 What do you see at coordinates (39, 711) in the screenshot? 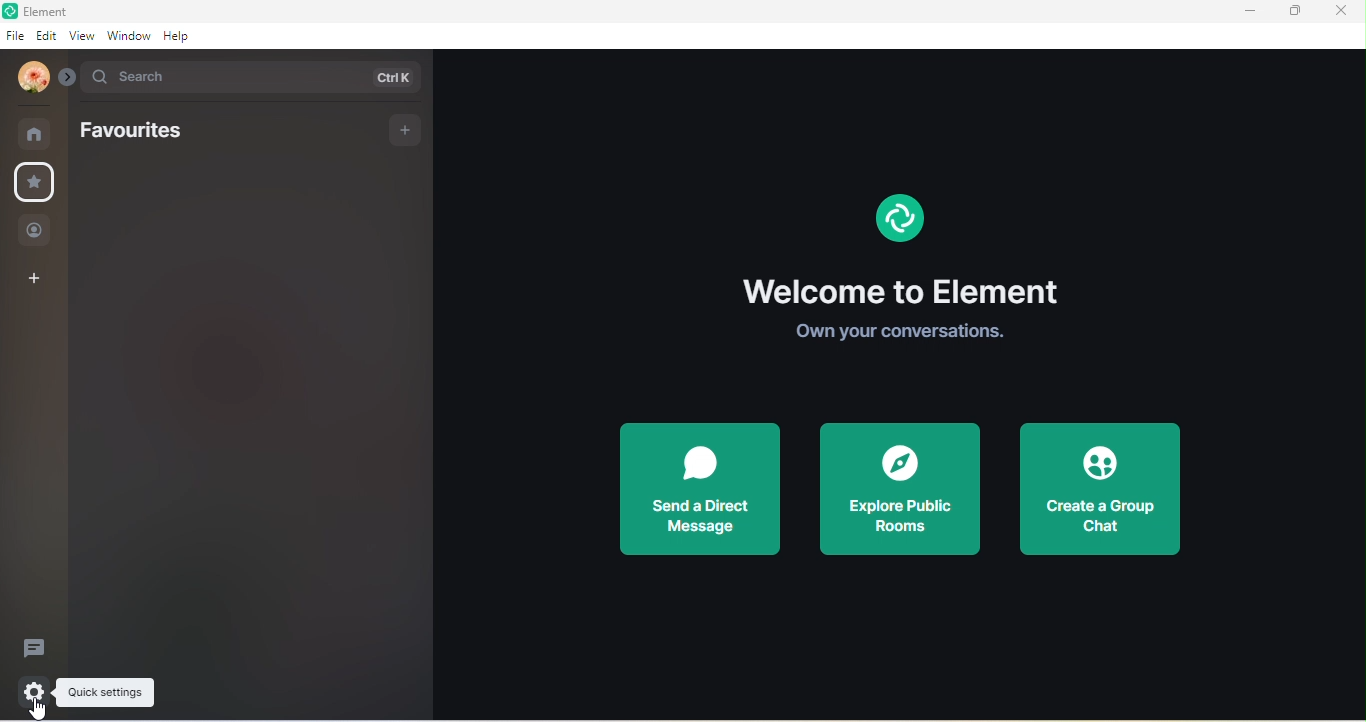
I see `cursor` at bounding box center [39, 711].